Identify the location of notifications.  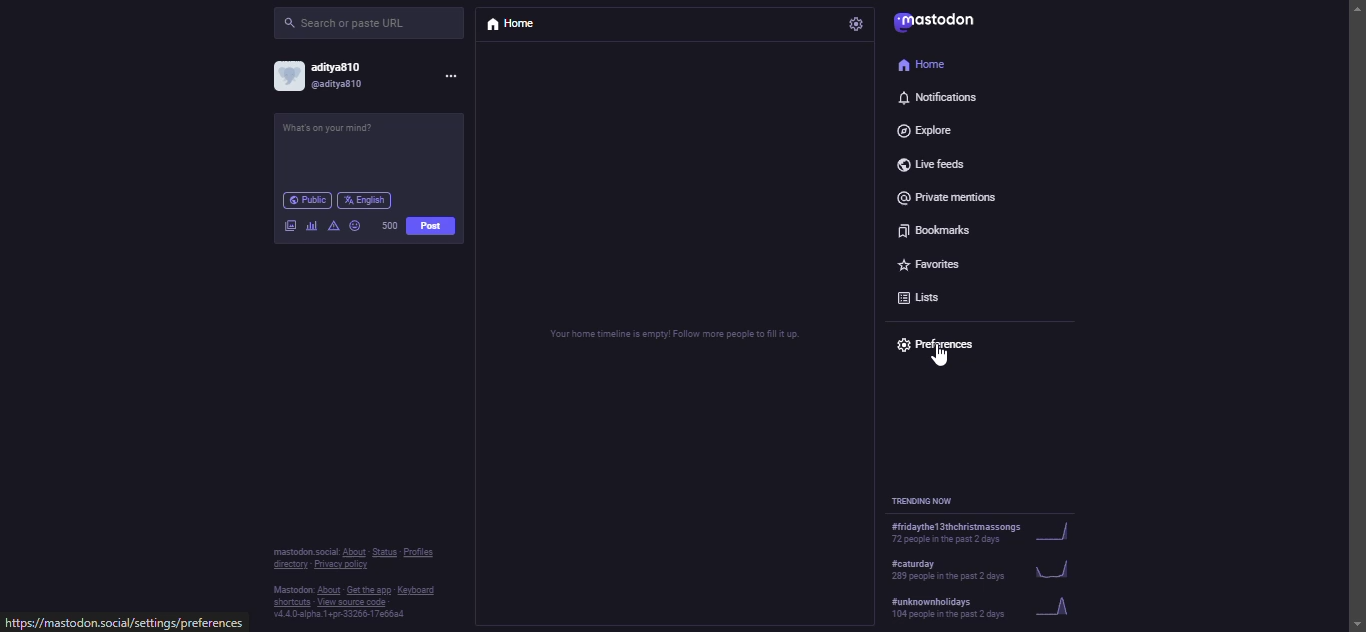
(934, 98).